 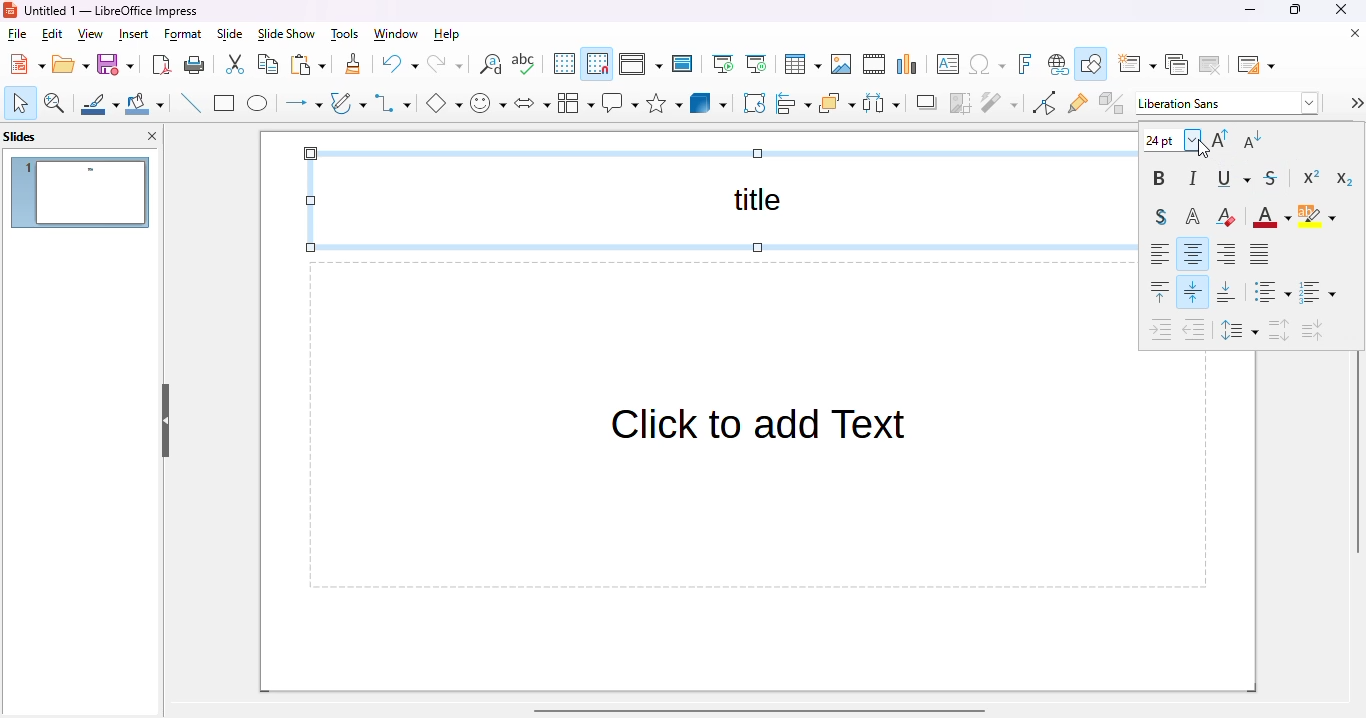 I want to click on italic, so click(x=1195, y=178).